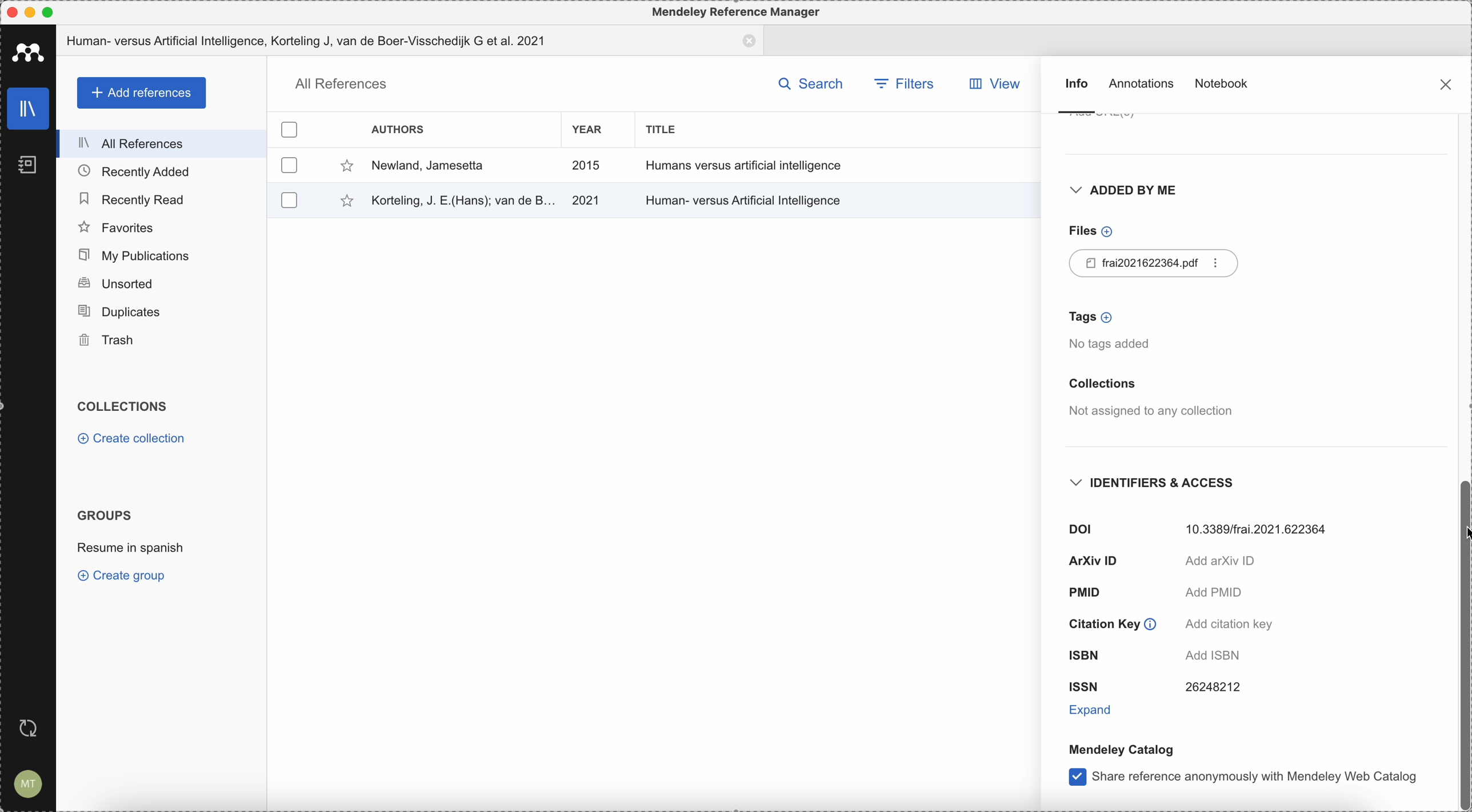 The width and height of the screenshot is (1472, 812). Describe the element at coordinates (33, 726) in the screenshot. I see `last sync` at that location.